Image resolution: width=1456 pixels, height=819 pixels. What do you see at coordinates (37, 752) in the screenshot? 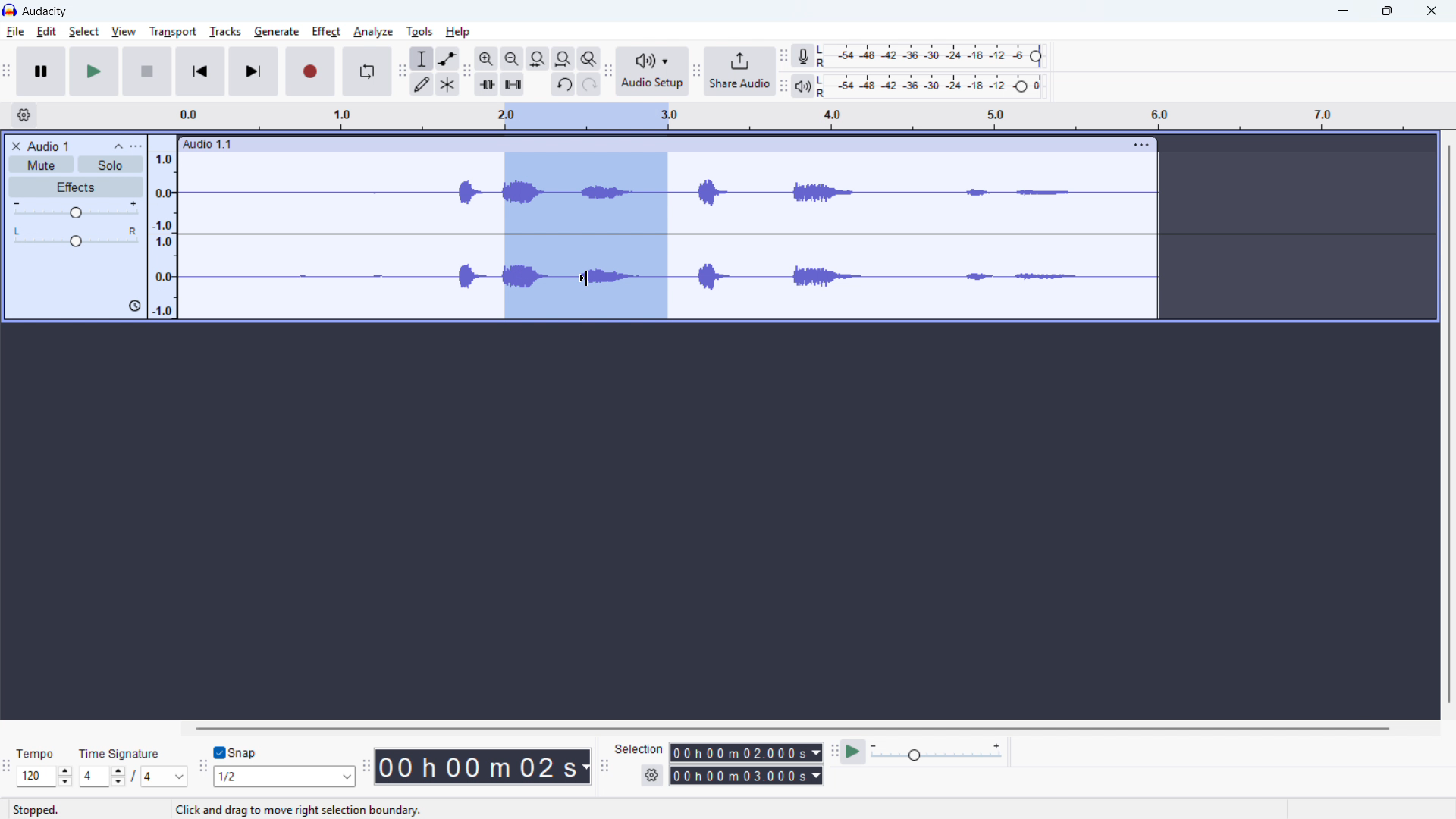
I see `Tempo` at bounding box center [37, 752].